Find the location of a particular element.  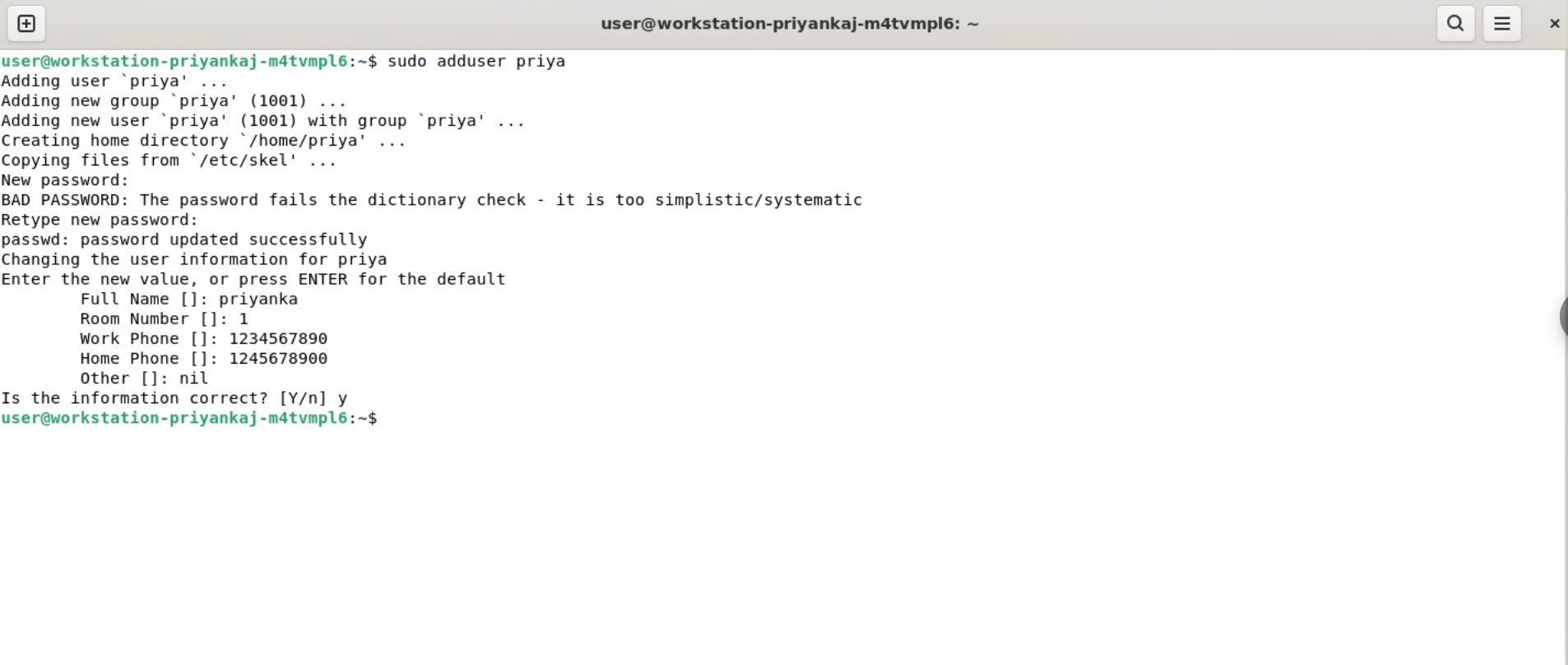

user@workstation-priyankaj-m4tvmpl6:~$ is located at coordinates (195, 420).